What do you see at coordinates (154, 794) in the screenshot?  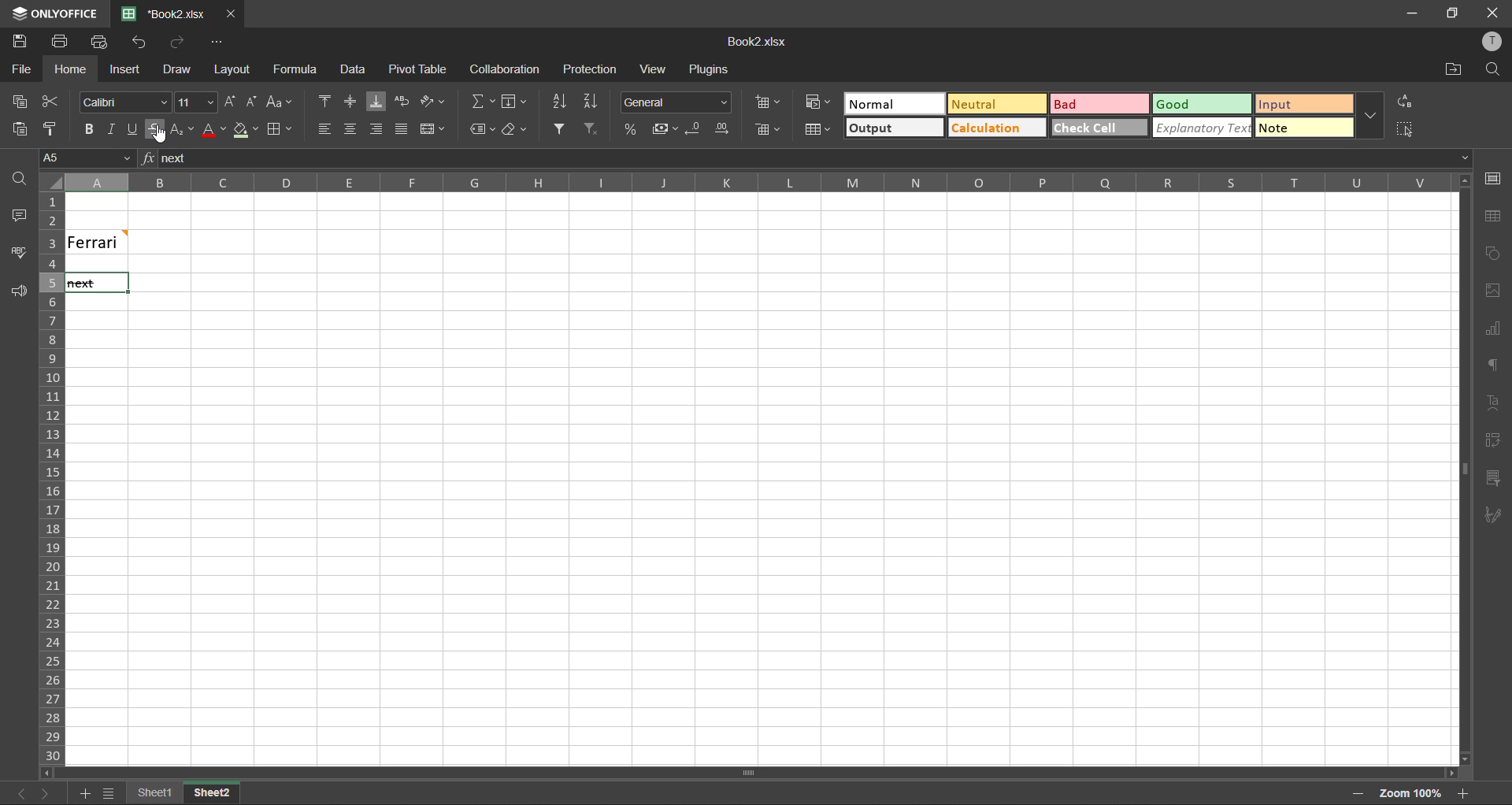 I see `sheet names` at bounding box center [154, 794].